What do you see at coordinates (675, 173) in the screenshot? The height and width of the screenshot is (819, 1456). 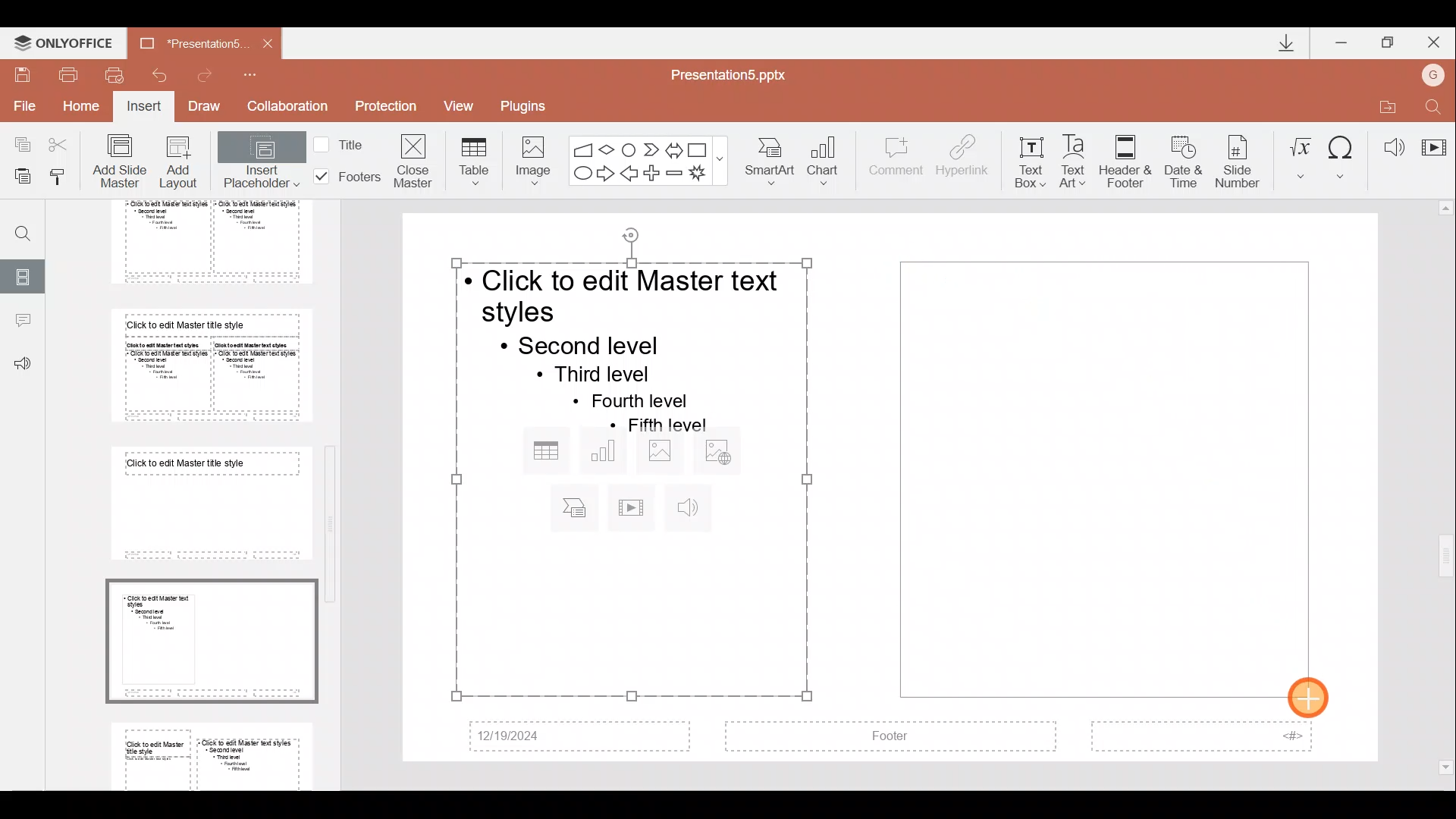 I see `Minus` at bounding box center [675, 173].